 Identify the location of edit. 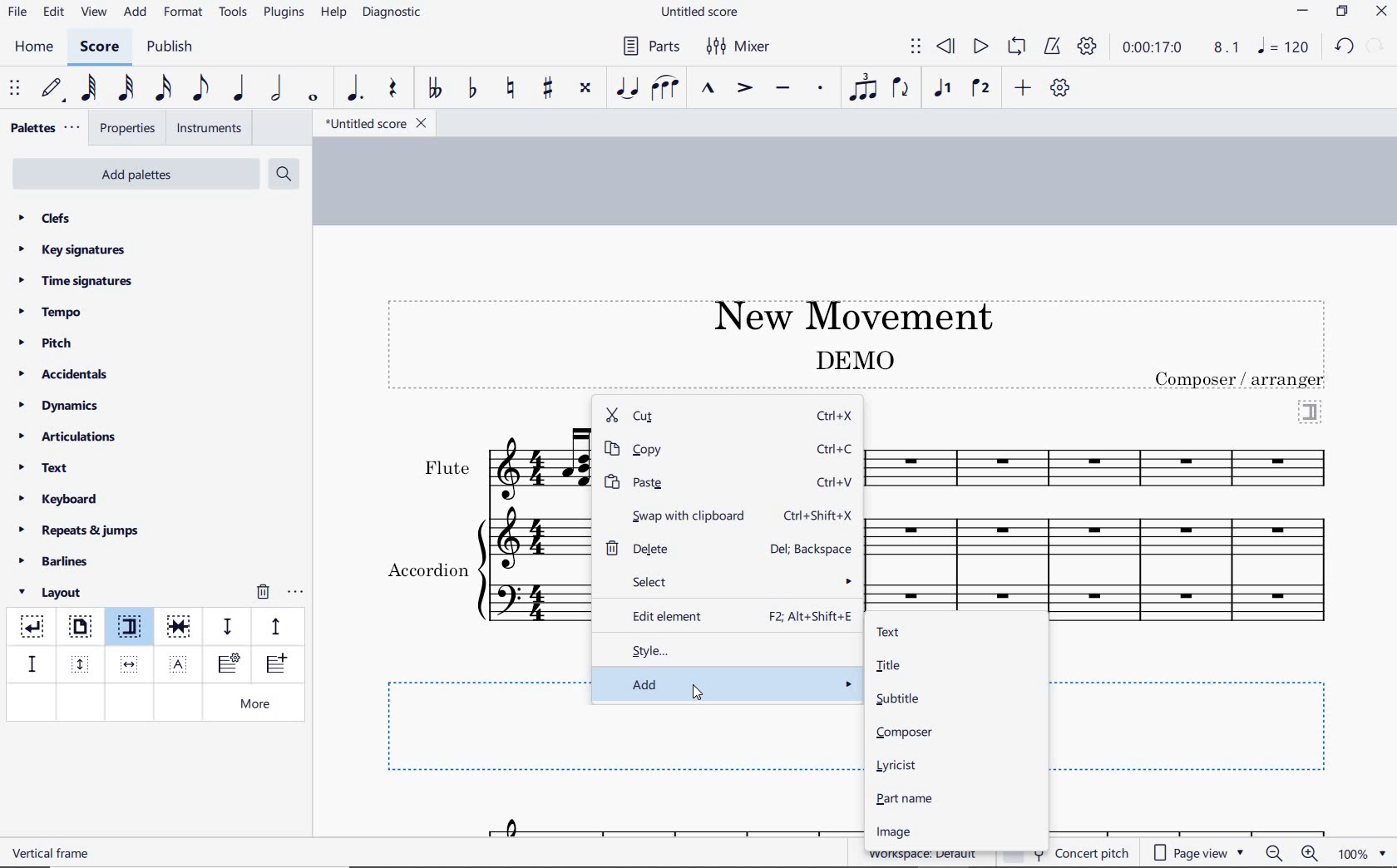
(52, 12).